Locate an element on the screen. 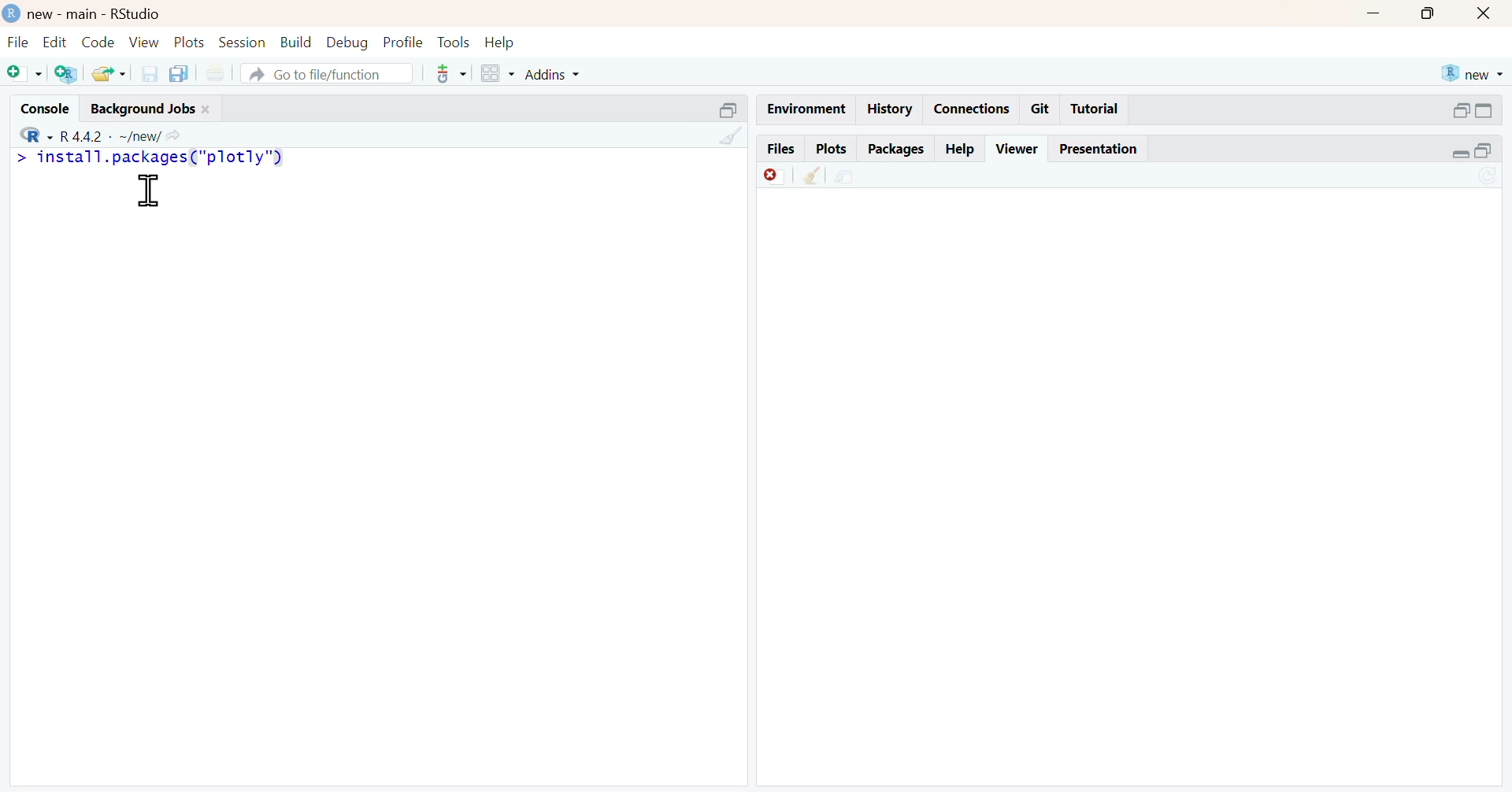  tools is located at coordinates (453, 41).